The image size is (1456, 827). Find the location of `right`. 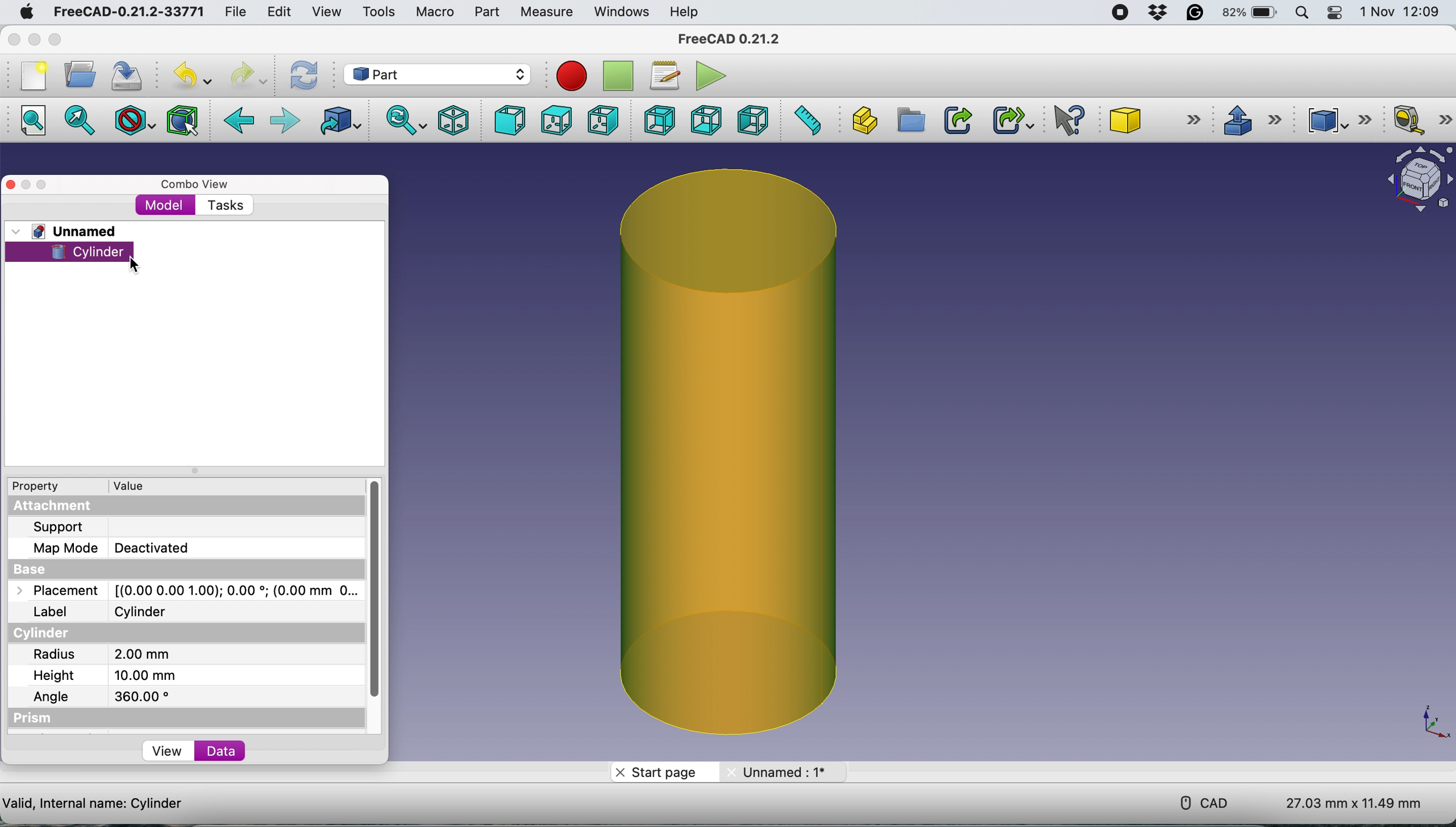

right is located at coordinates (602, 120).